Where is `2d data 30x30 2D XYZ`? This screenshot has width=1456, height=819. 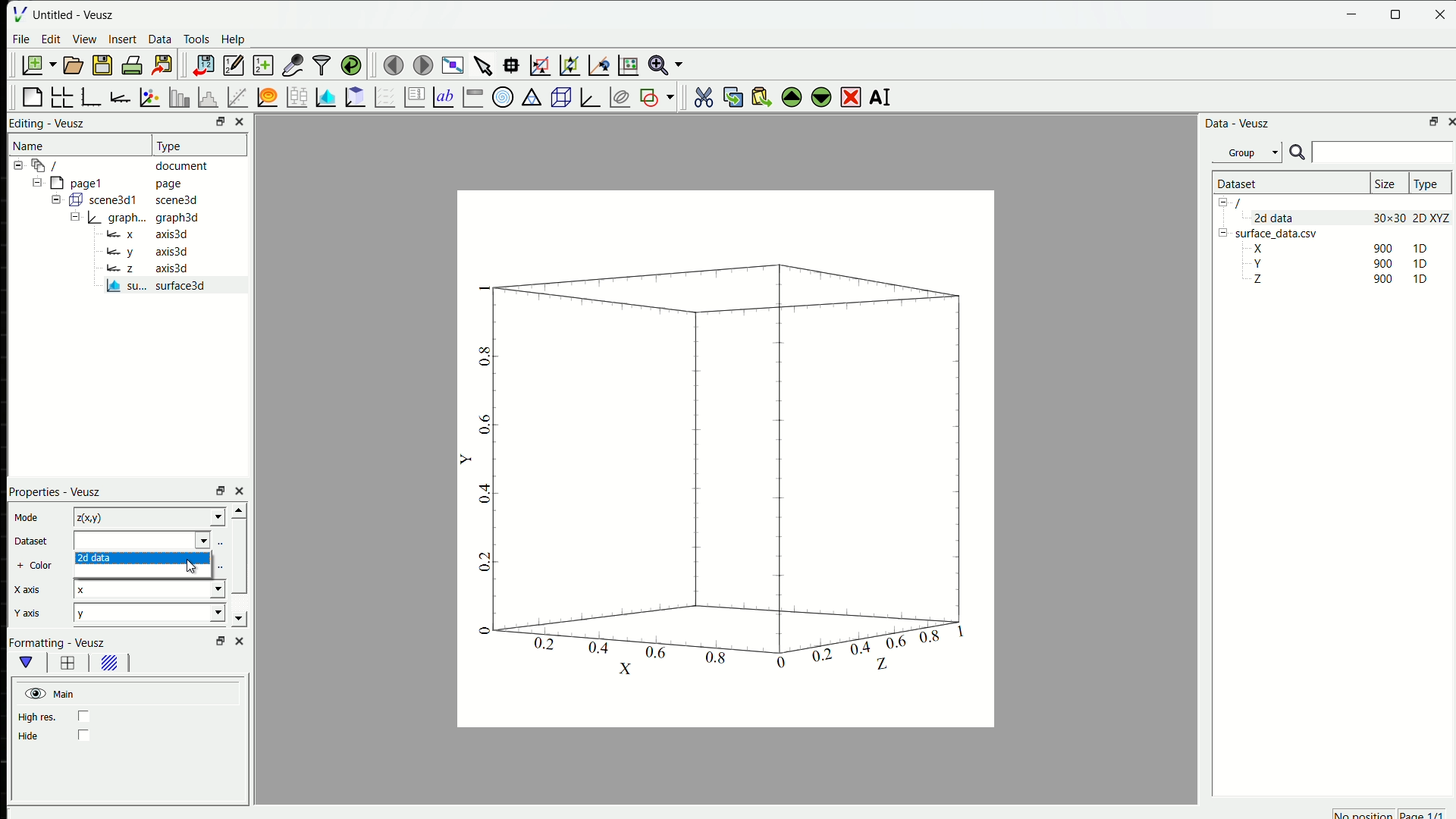
2d data 30x30 2D XYZ is located at coordinates (1353, 218).